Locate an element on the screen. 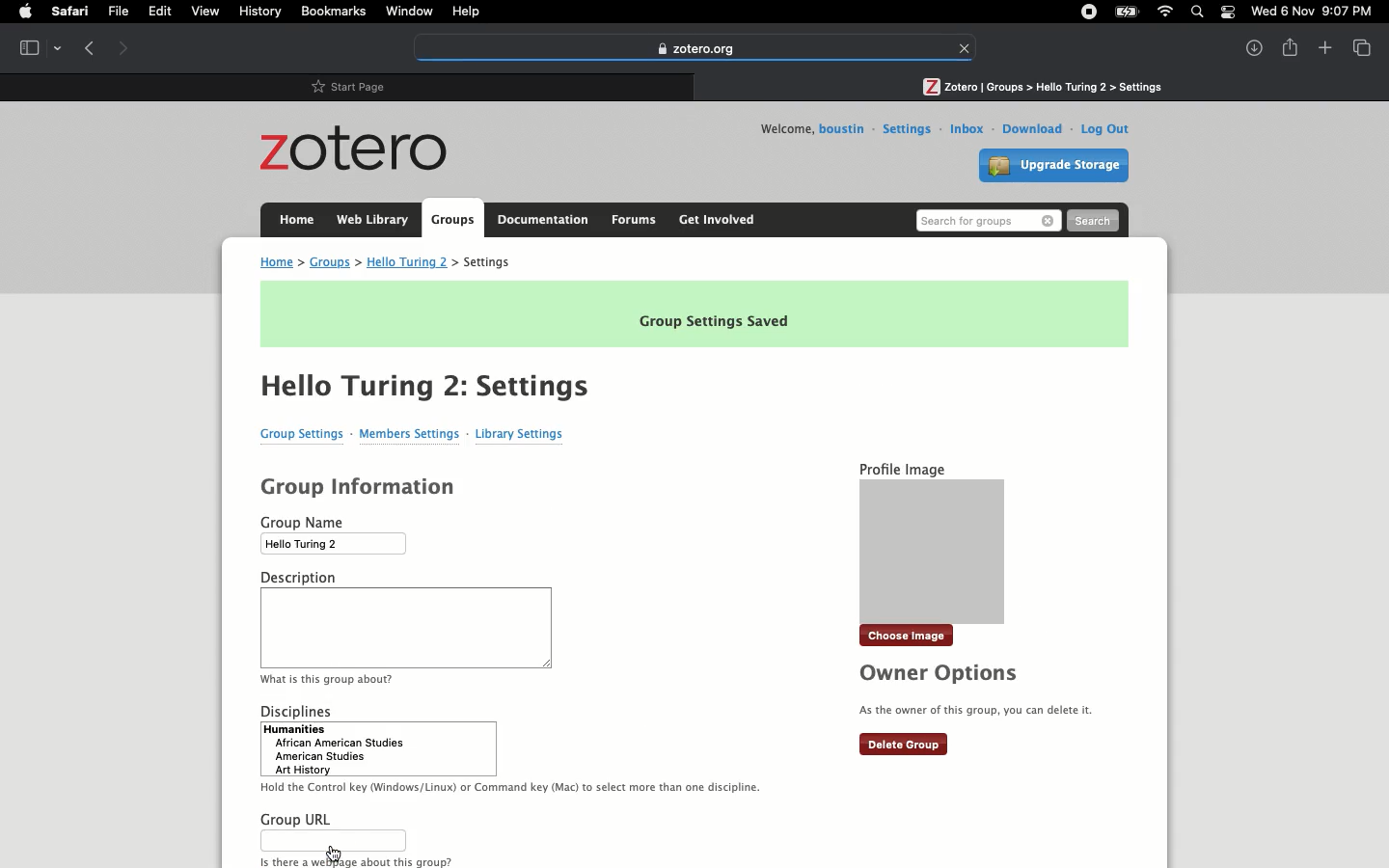 The height and width of the screenshot is (868, 1389). Hello Turing 2 Settings is located at coordinates (425, 384).